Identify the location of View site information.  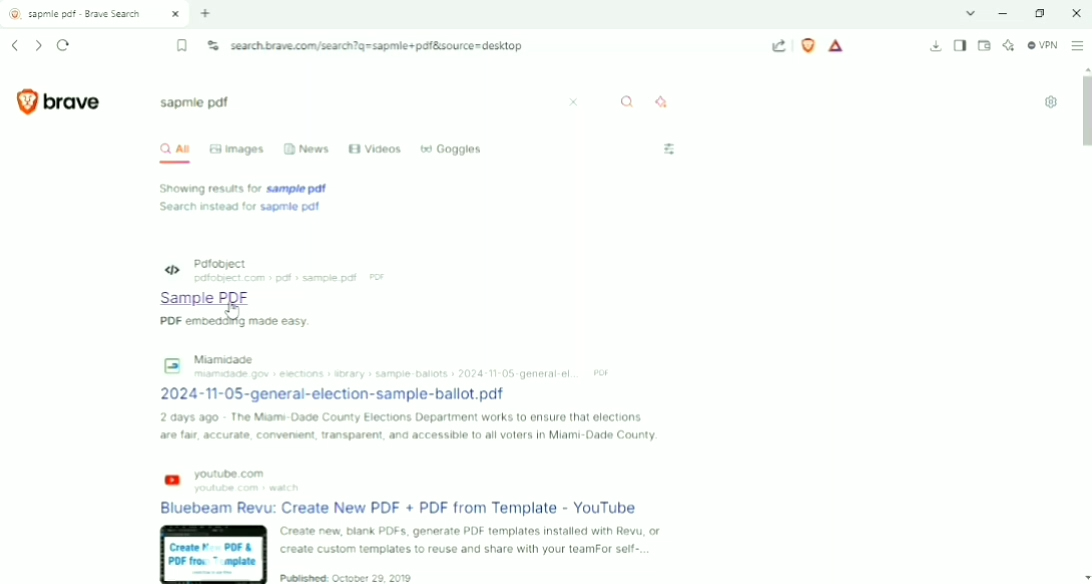
(213, 45).